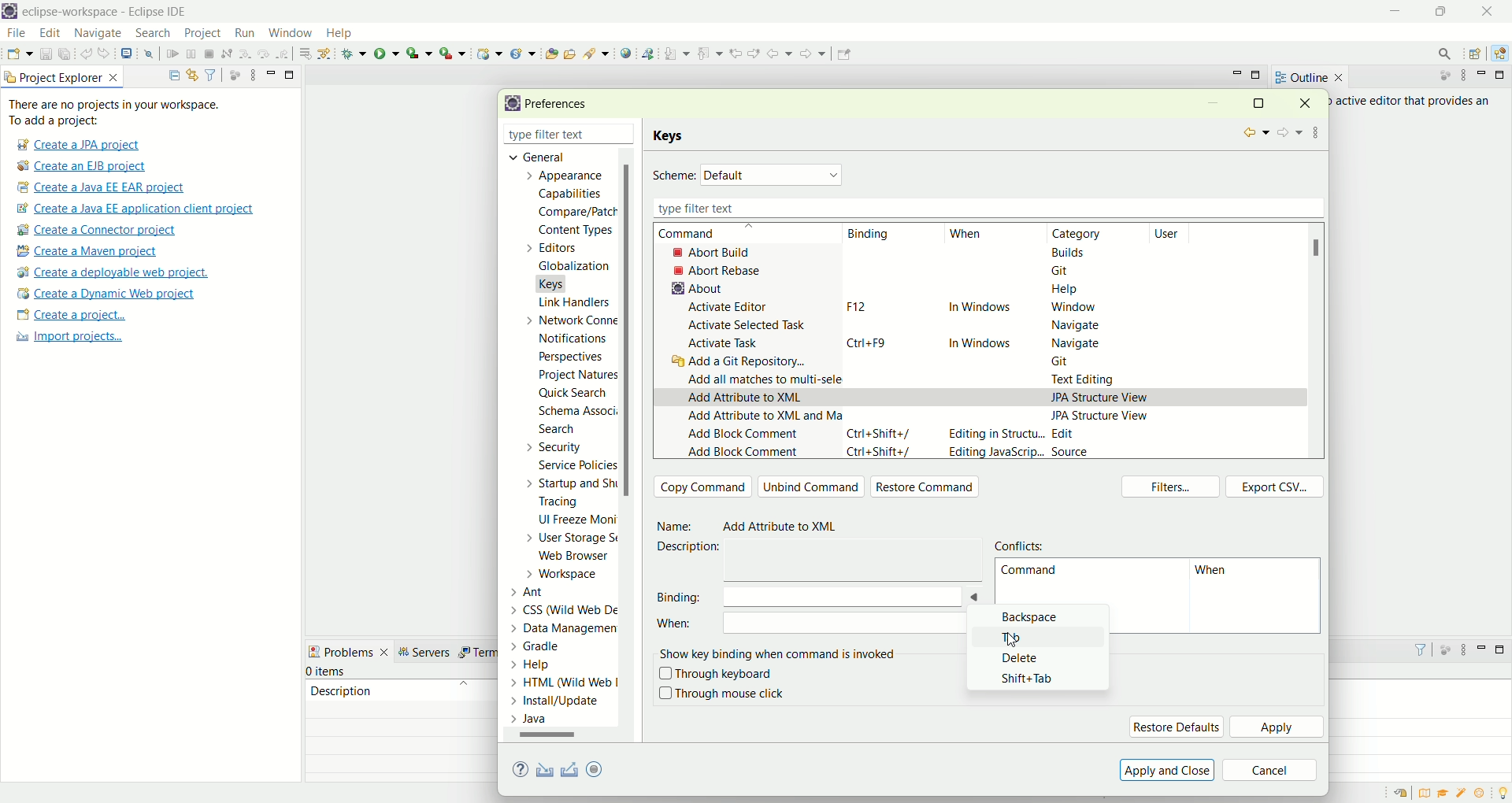 The height and width of the screenshot is (803, 1512). I want to click on restore welcome, so click(1404, 794).